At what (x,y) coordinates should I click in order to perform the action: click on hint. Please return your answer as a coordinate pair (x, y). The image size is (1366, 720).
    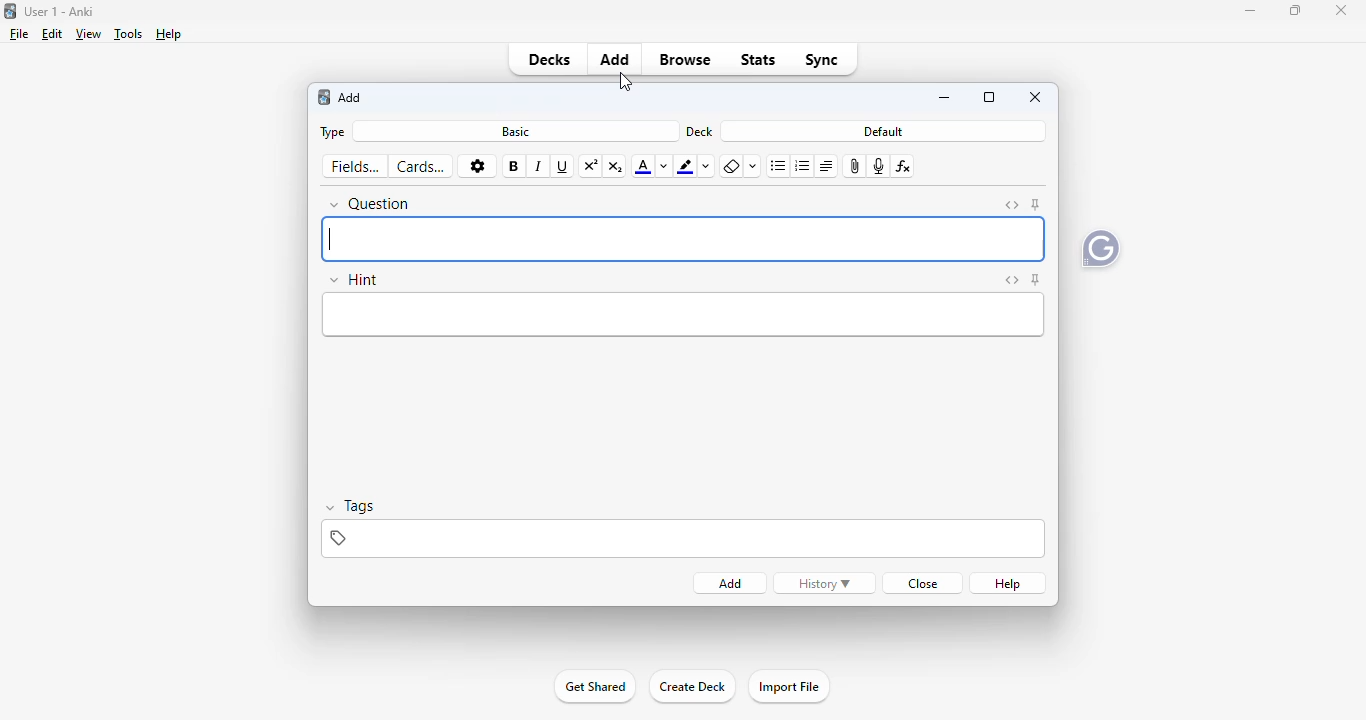
    Looking at the image, I should click on (683, 314).